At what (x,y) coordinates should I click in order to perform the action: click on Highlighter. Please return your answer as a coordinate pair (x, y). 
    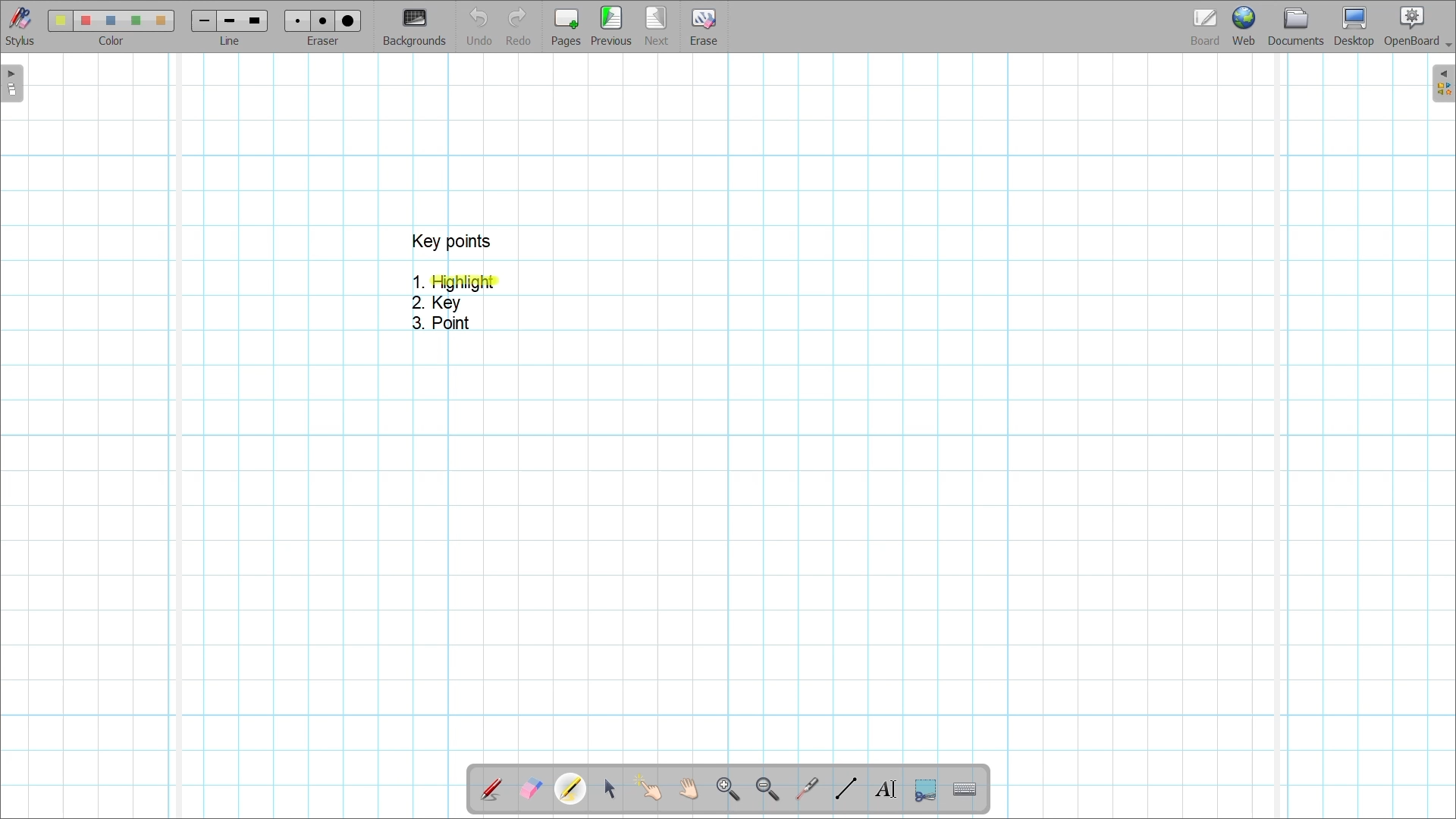
    Looking at the image, I should click on (570, 789).